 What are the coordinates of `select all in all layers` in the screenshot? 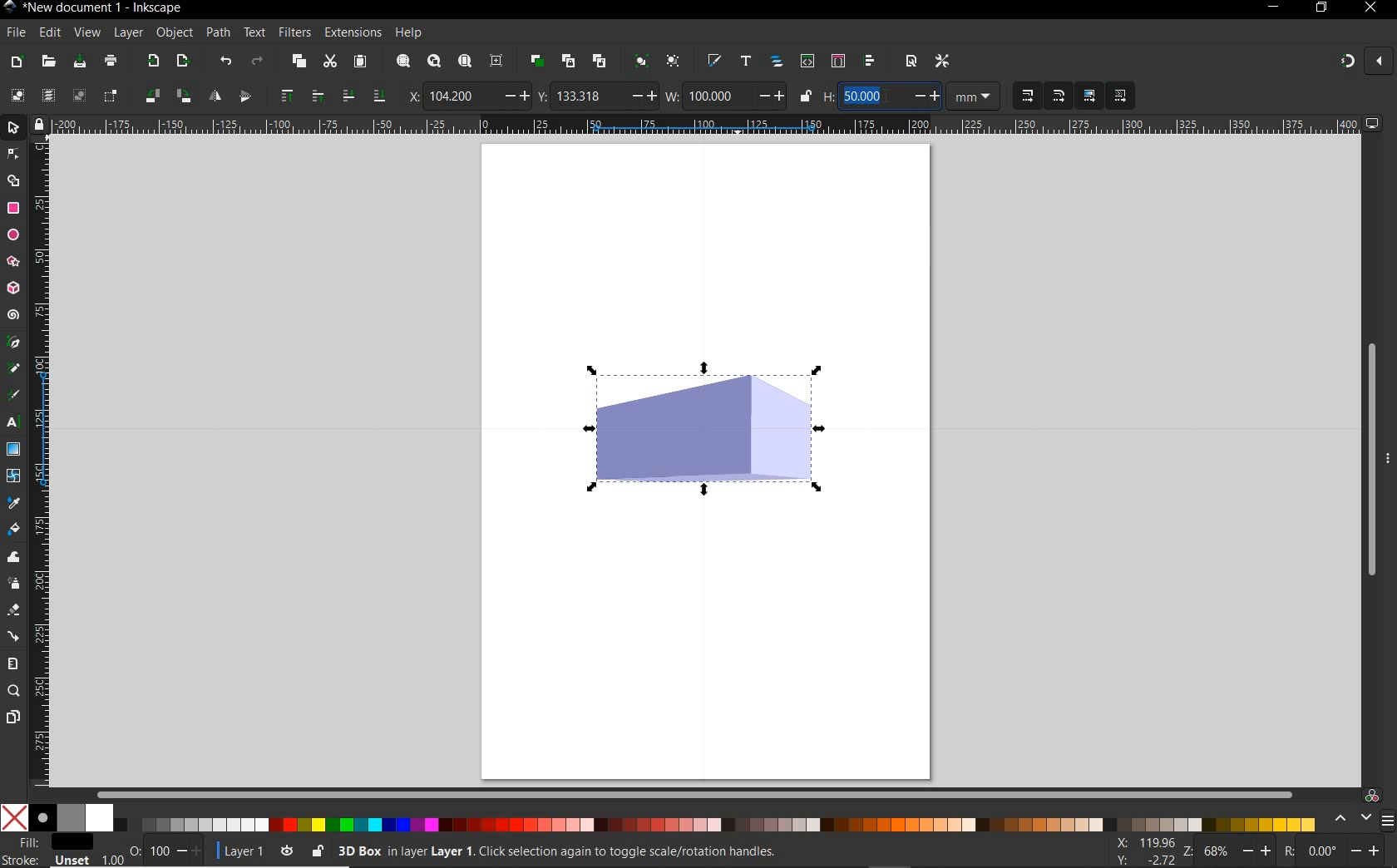 It's located at (47, 95).